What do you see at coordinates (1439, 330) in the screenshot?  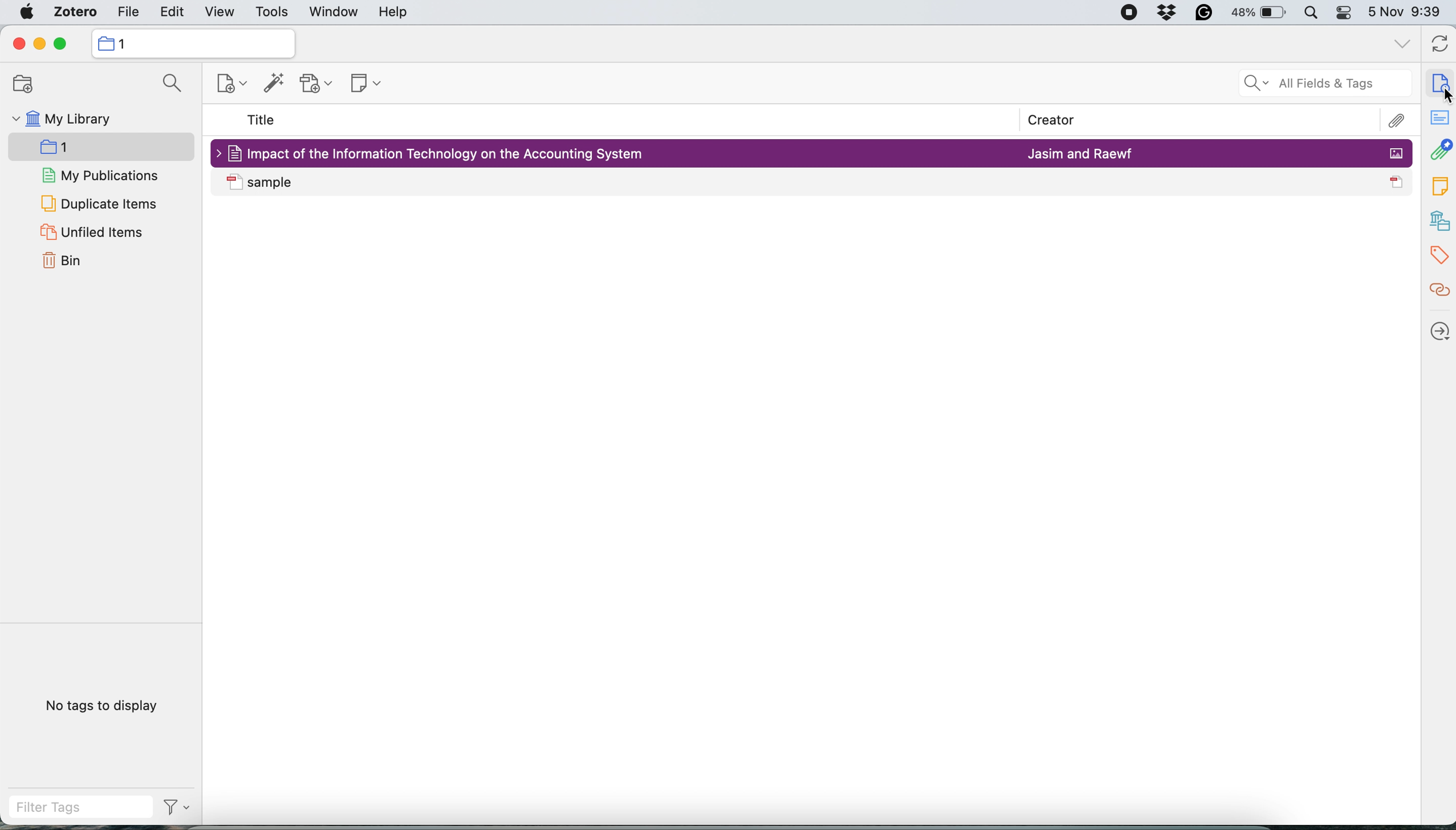 I see `locate` at bounding box center [1439, 330].